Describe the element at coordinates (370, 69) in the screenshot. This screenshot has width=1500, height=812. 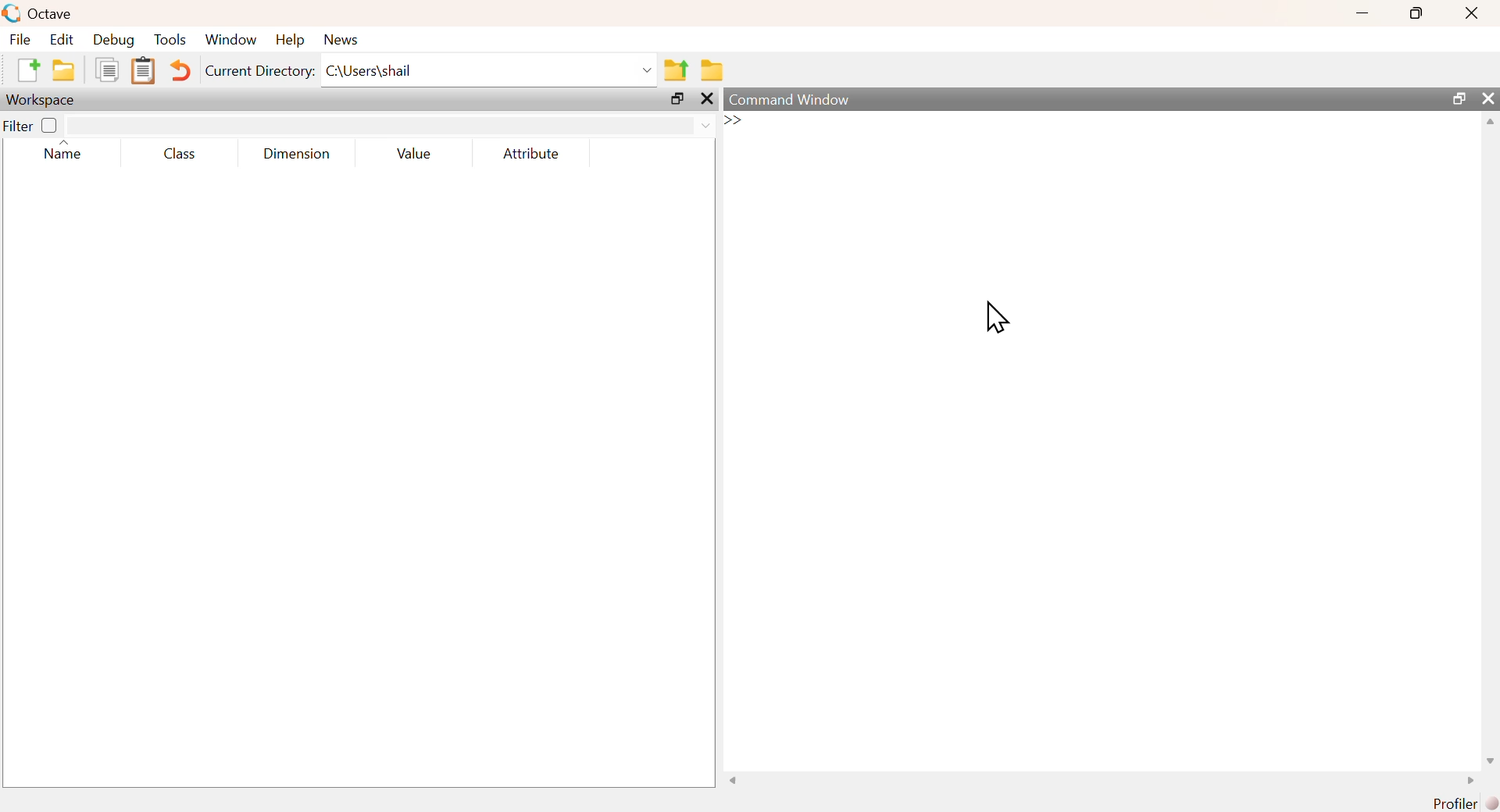
I see `C:\Users\shail` at that location.